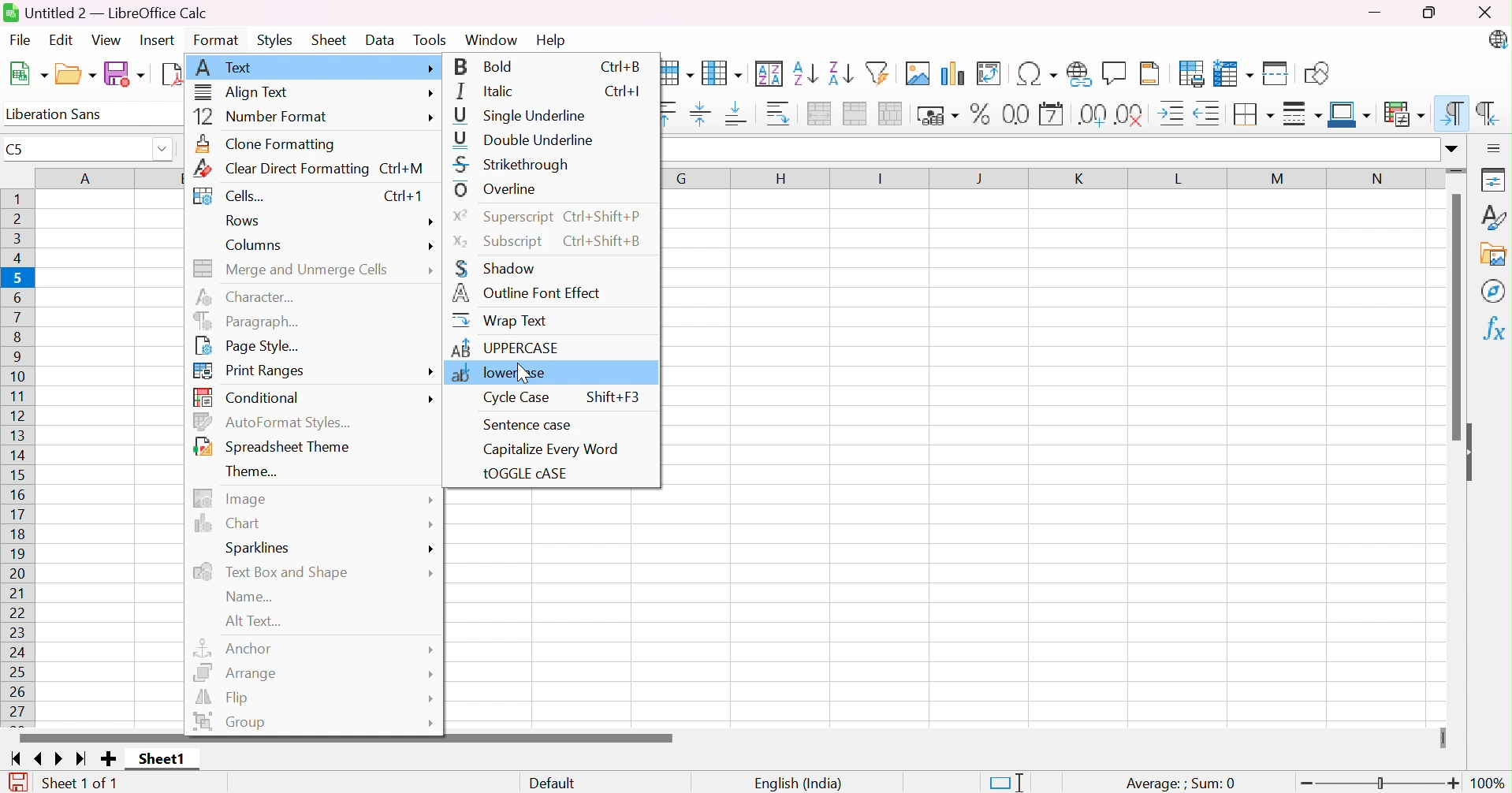 This screenshot has width=1512, height=793. What do you see at coordinates (625, 91) in the screenshot?
I see `Ctrl+I` at bounding box center [625, 91].